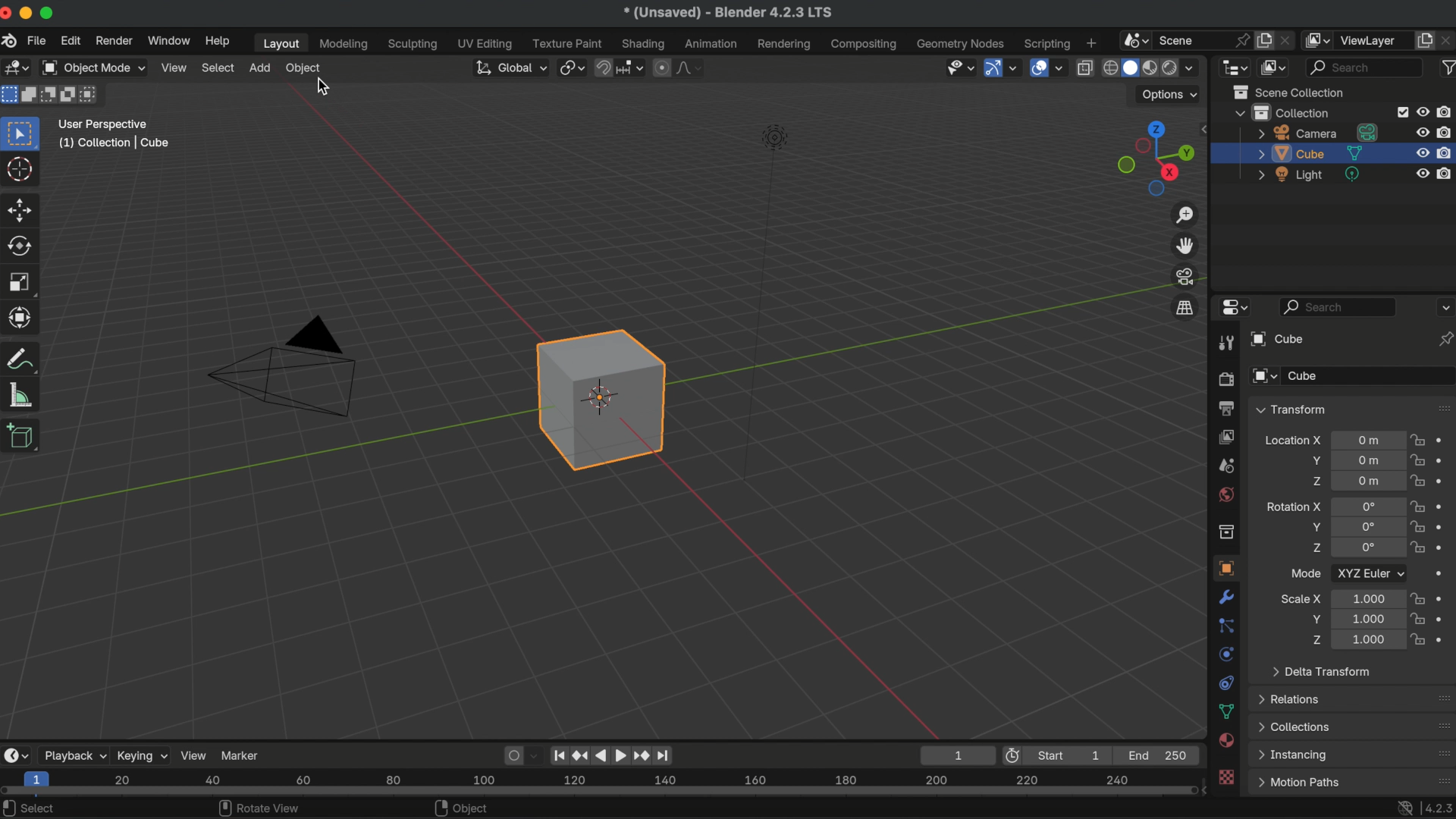 This screenshot has height=819, width=1456. I want to click on zoom in/out of the view, so click(1187, 215).